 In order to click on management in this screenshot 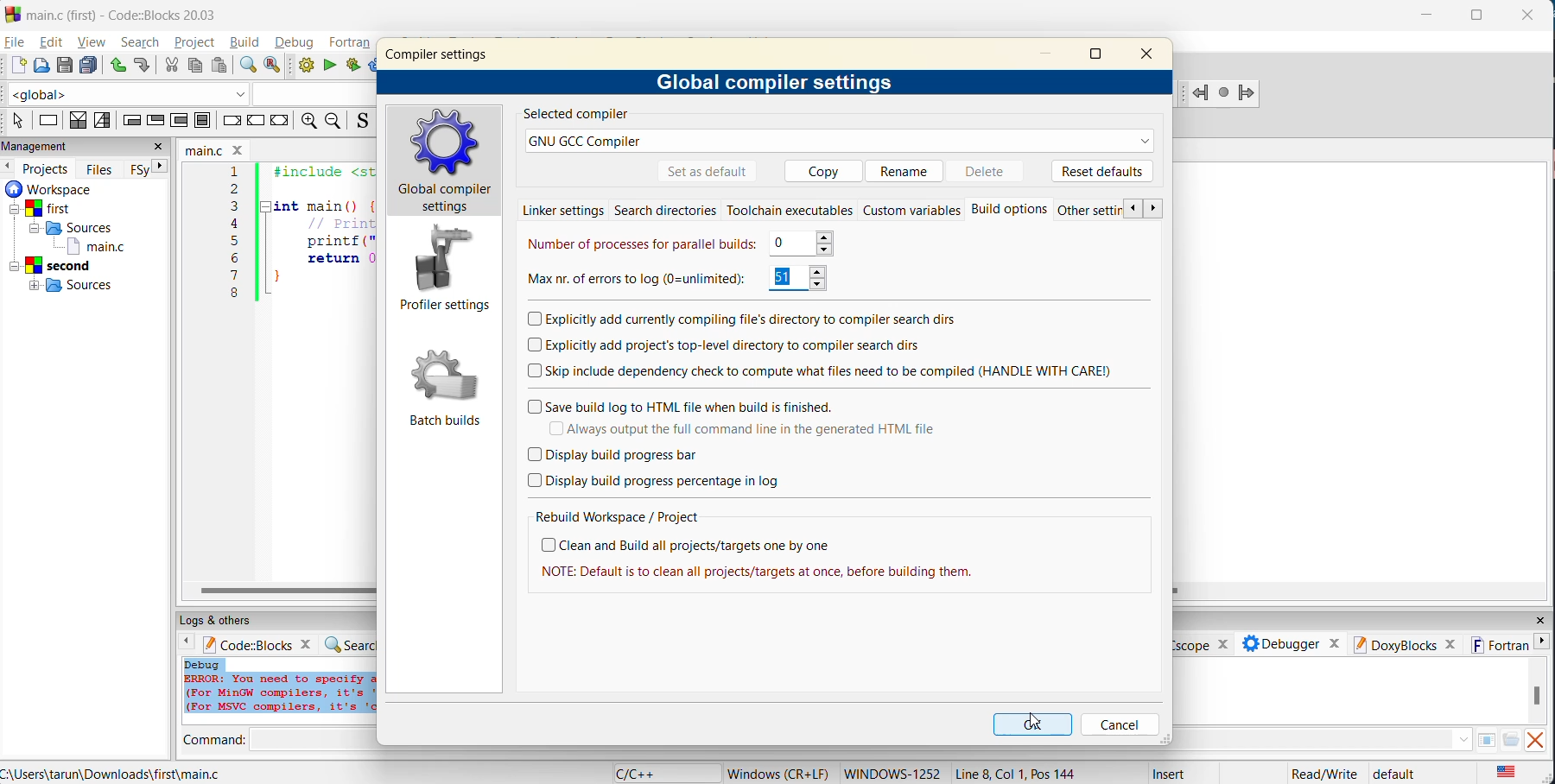, I will do `click(38, 145)`.